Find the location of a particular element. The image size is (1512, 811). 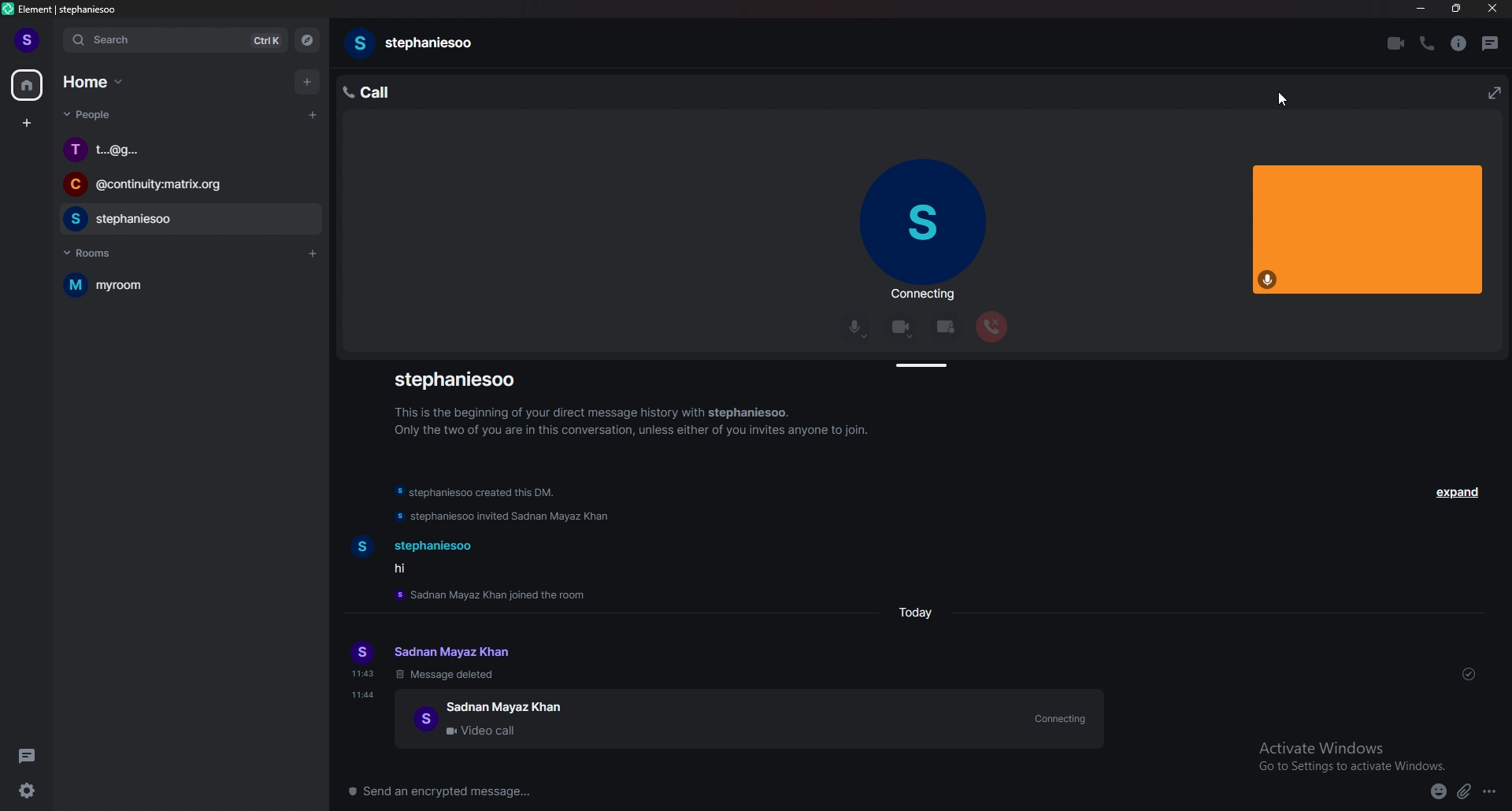

Activate Windows is located at coordinates (1346, 751).